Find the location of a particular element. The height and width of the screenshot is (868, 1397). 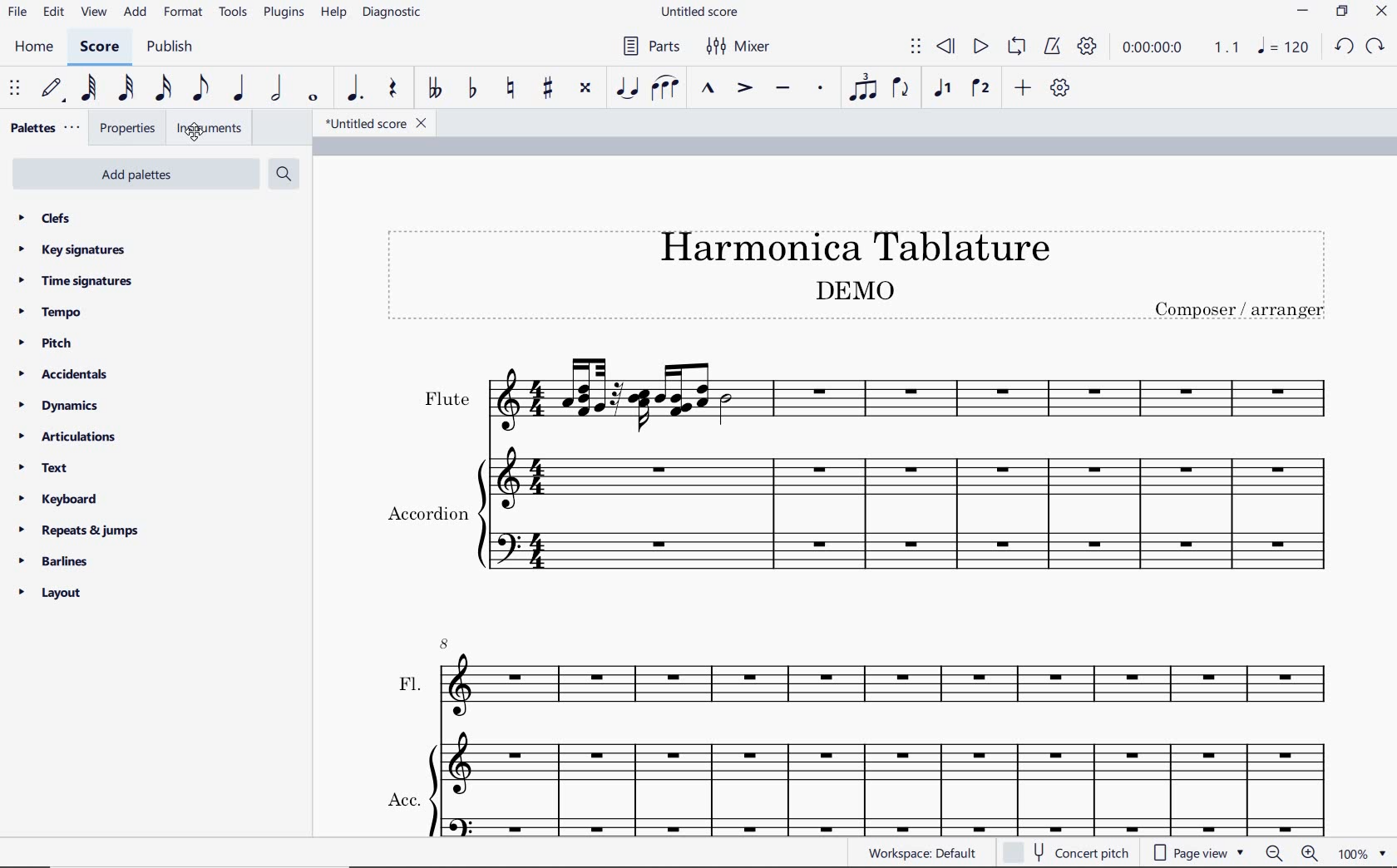

quarter note is located at coordinates (240, 88).